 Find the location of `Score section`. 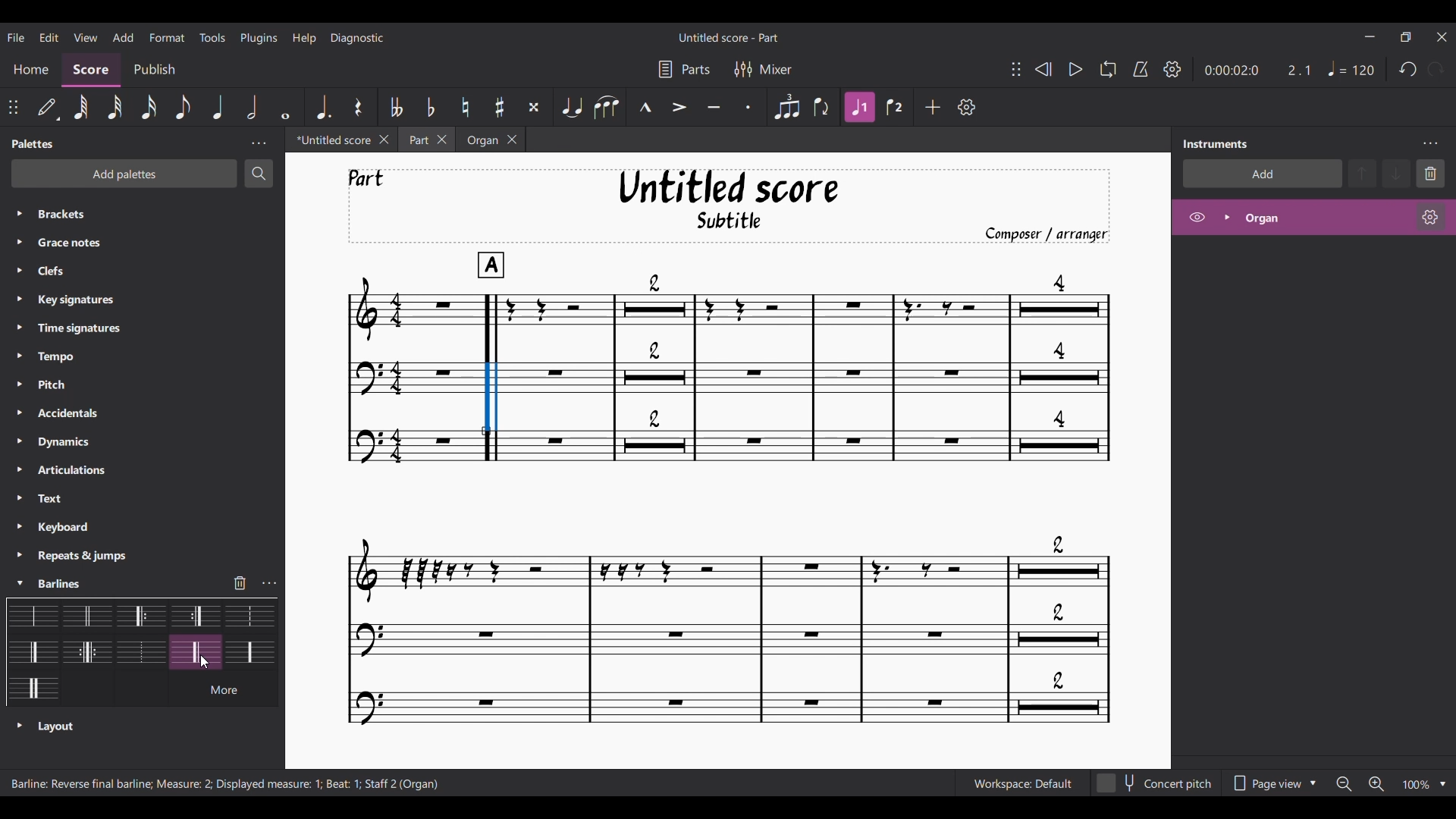

Score section is located at coordinates (90, 71).